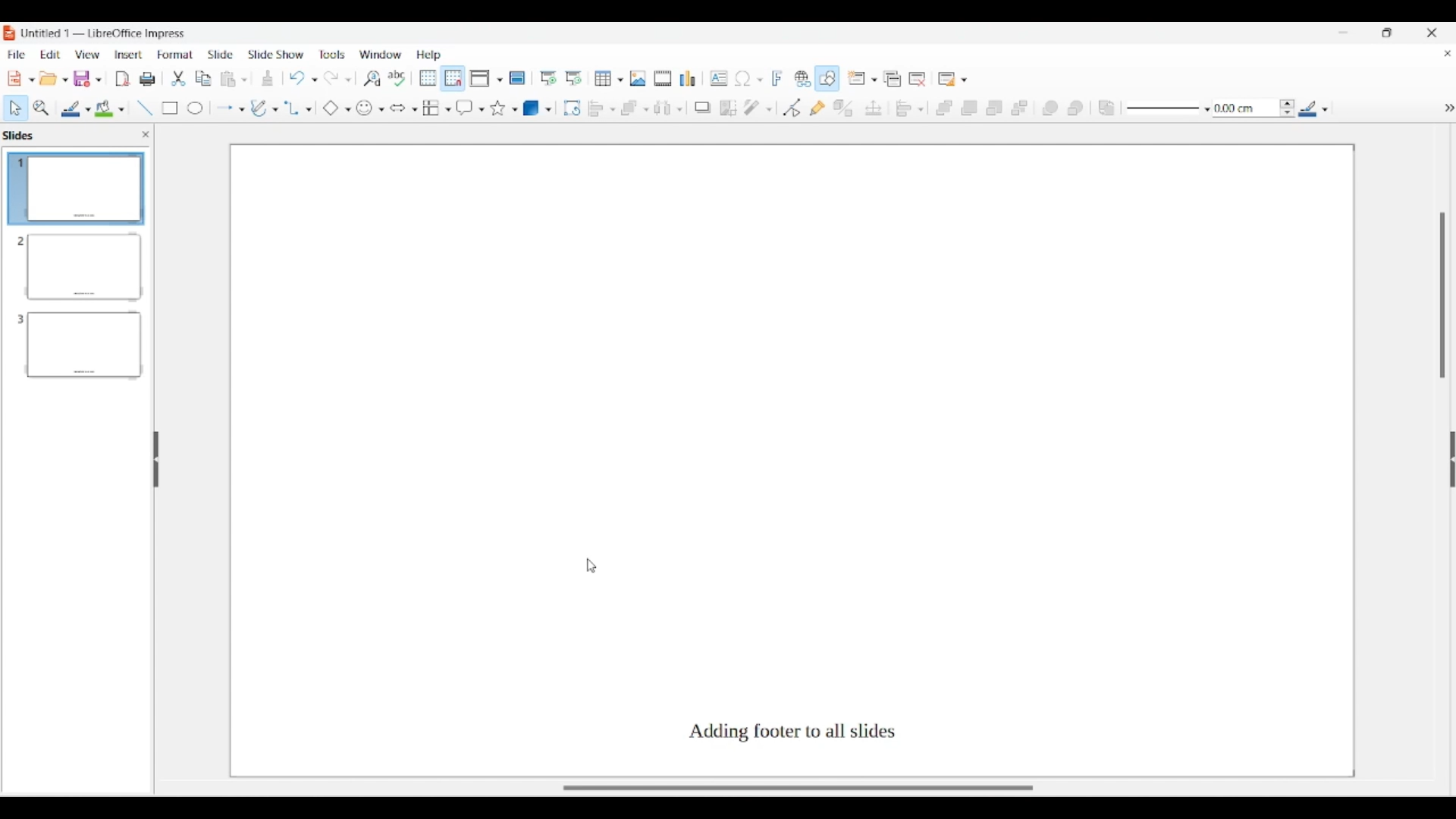 Image resolution: width=1456 pixels, height=819 pixels. I want to click on Slide layout, so click(954, 79).